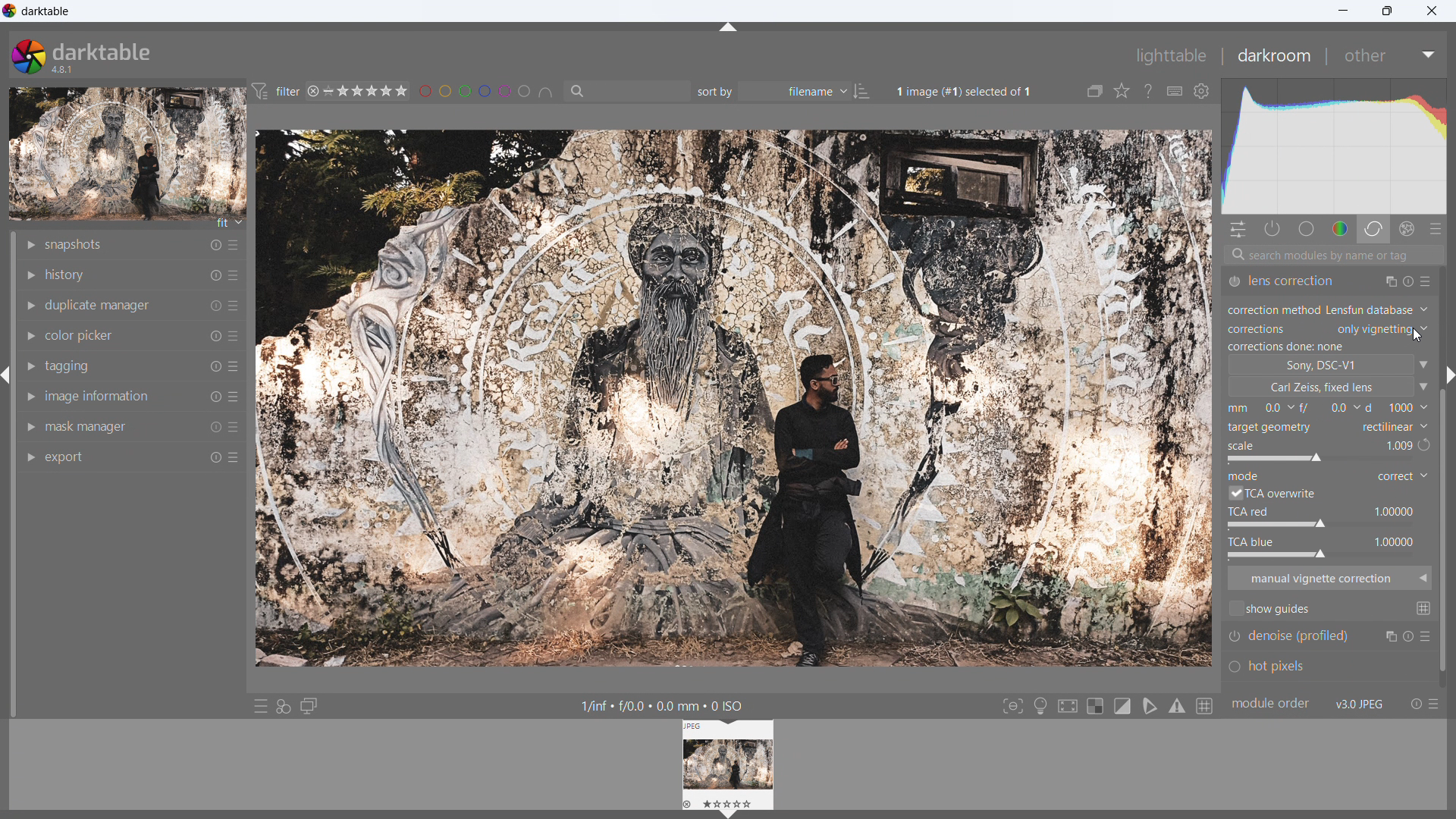  Describe the element at coordinates (485, 92) in the screenshot. I see `filter images by color level` at that location.